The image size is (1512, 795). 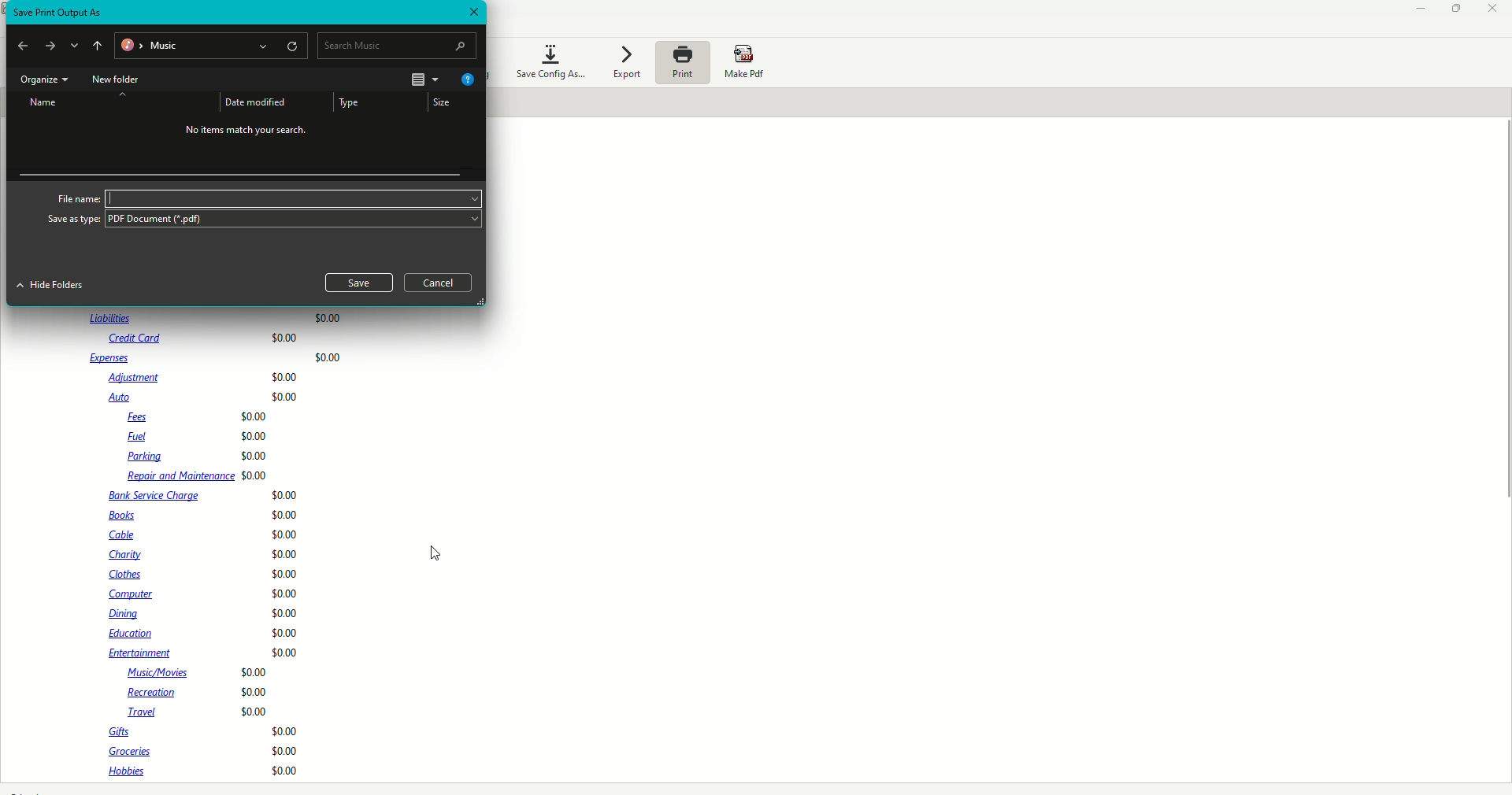 I want to click on Name, so click(x=45, y=103).